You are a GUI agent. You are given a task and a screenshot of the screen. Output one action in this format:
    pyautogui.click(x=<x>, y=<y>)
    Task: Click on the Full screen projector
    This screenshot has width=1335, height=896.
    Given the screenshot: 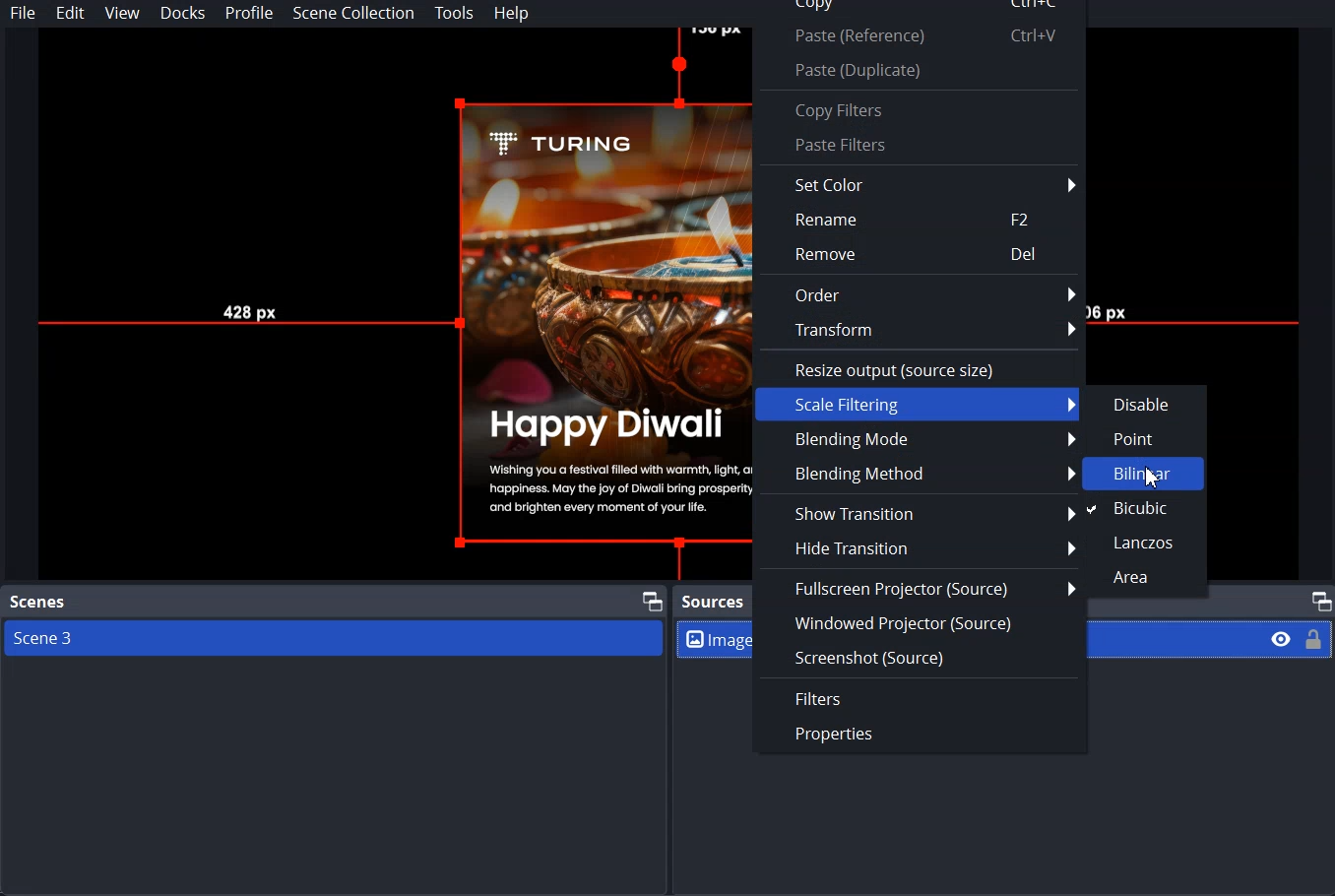 What is the action you would take?
    pyautogui.click(x=915, y=586)
    